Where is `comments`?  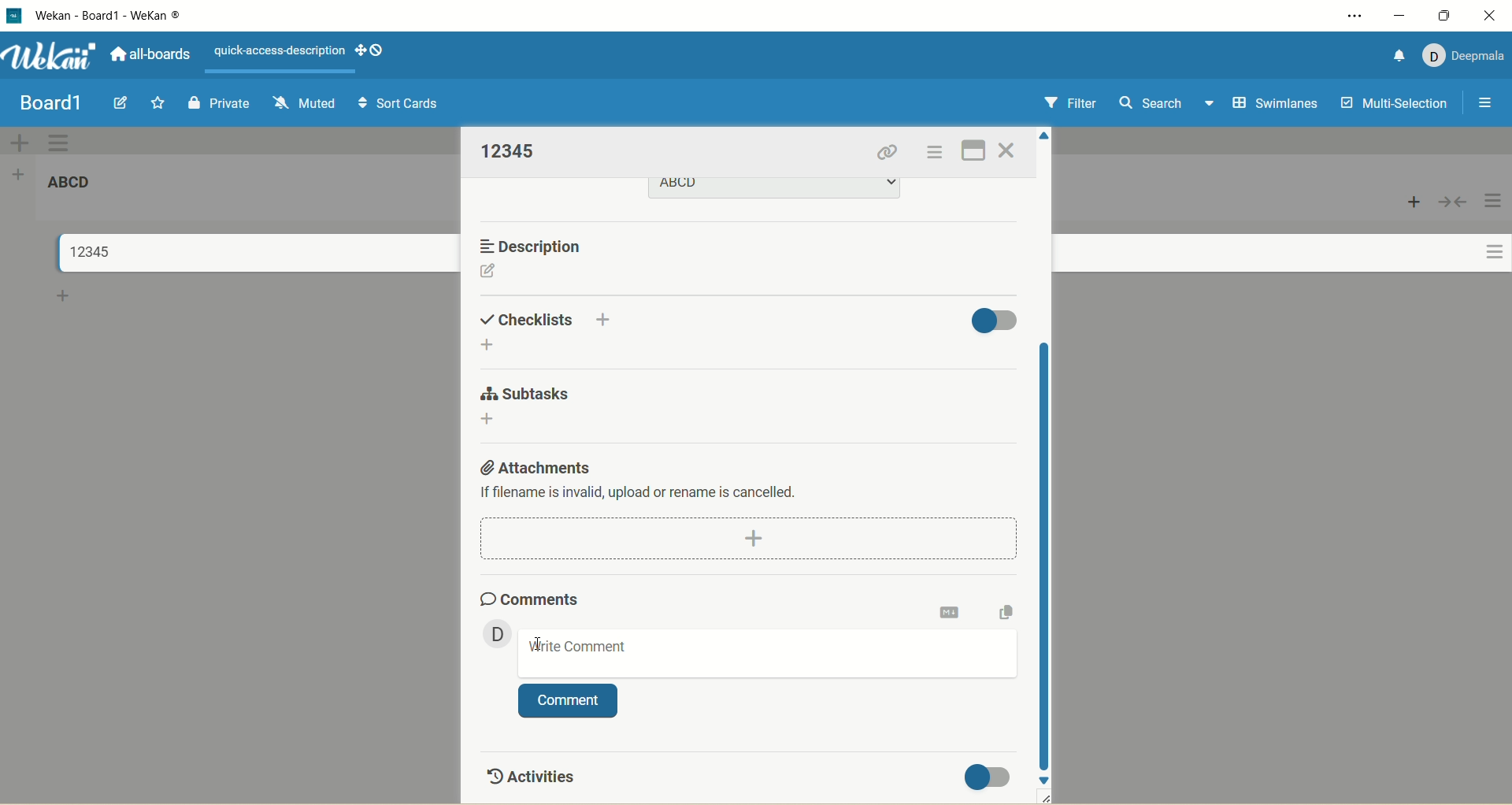 comments is located at coordinates (528, 596).